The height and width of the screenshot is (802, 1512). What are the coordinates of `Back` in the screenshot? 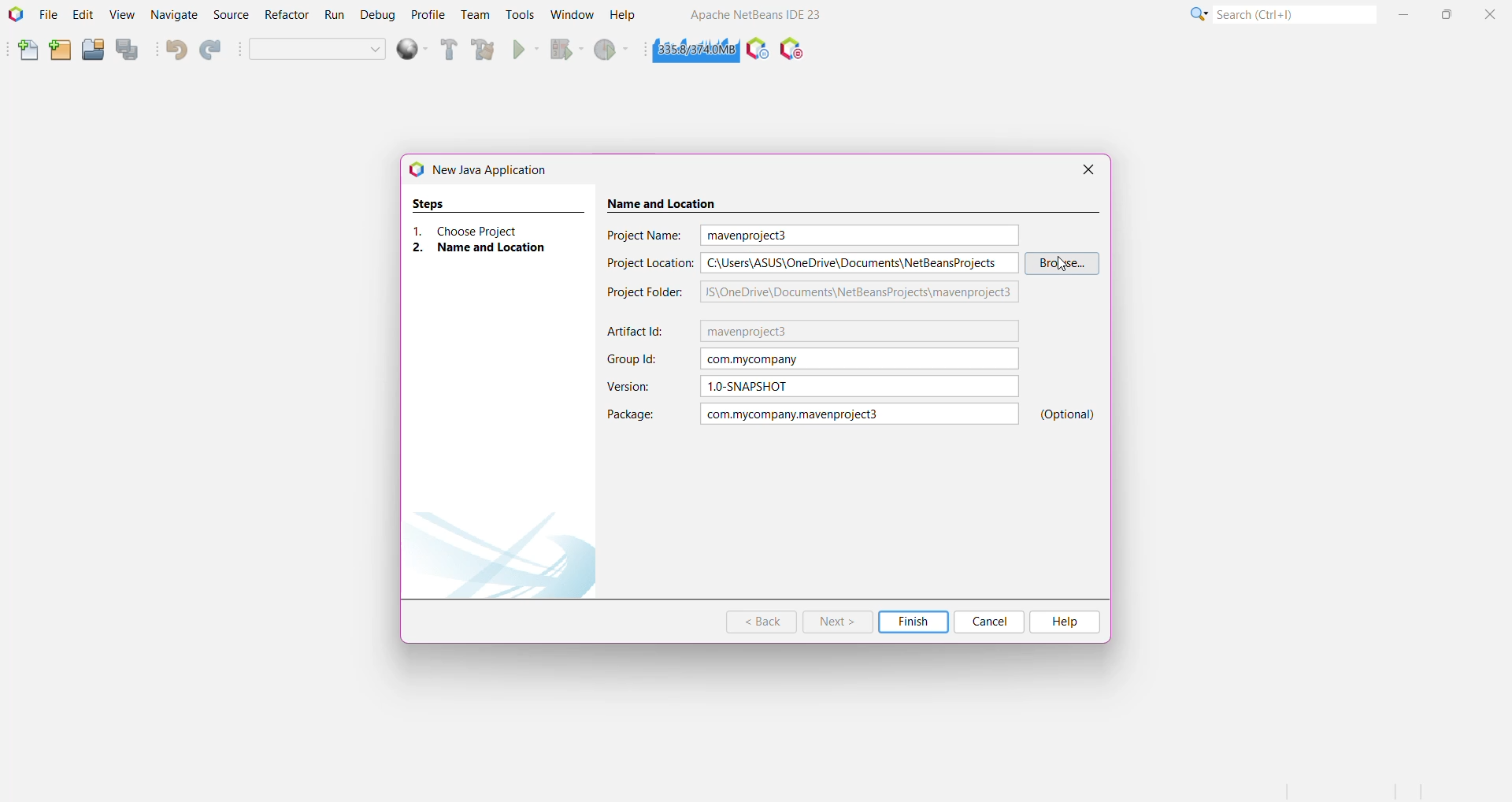 It's located at (762, 622).